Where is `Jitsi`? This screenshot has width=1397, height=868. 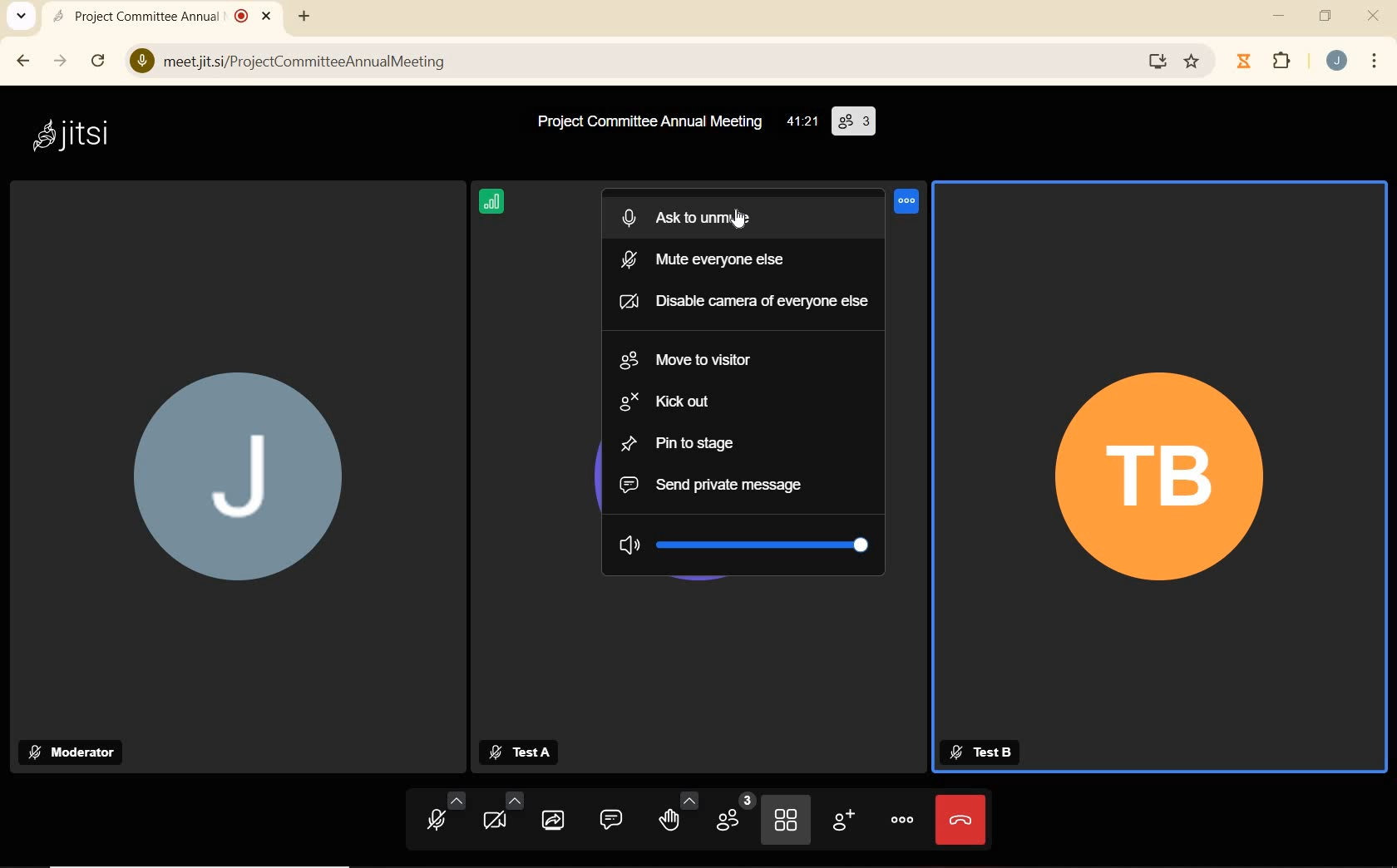 Jitsi is located at coordinates (76, 136).